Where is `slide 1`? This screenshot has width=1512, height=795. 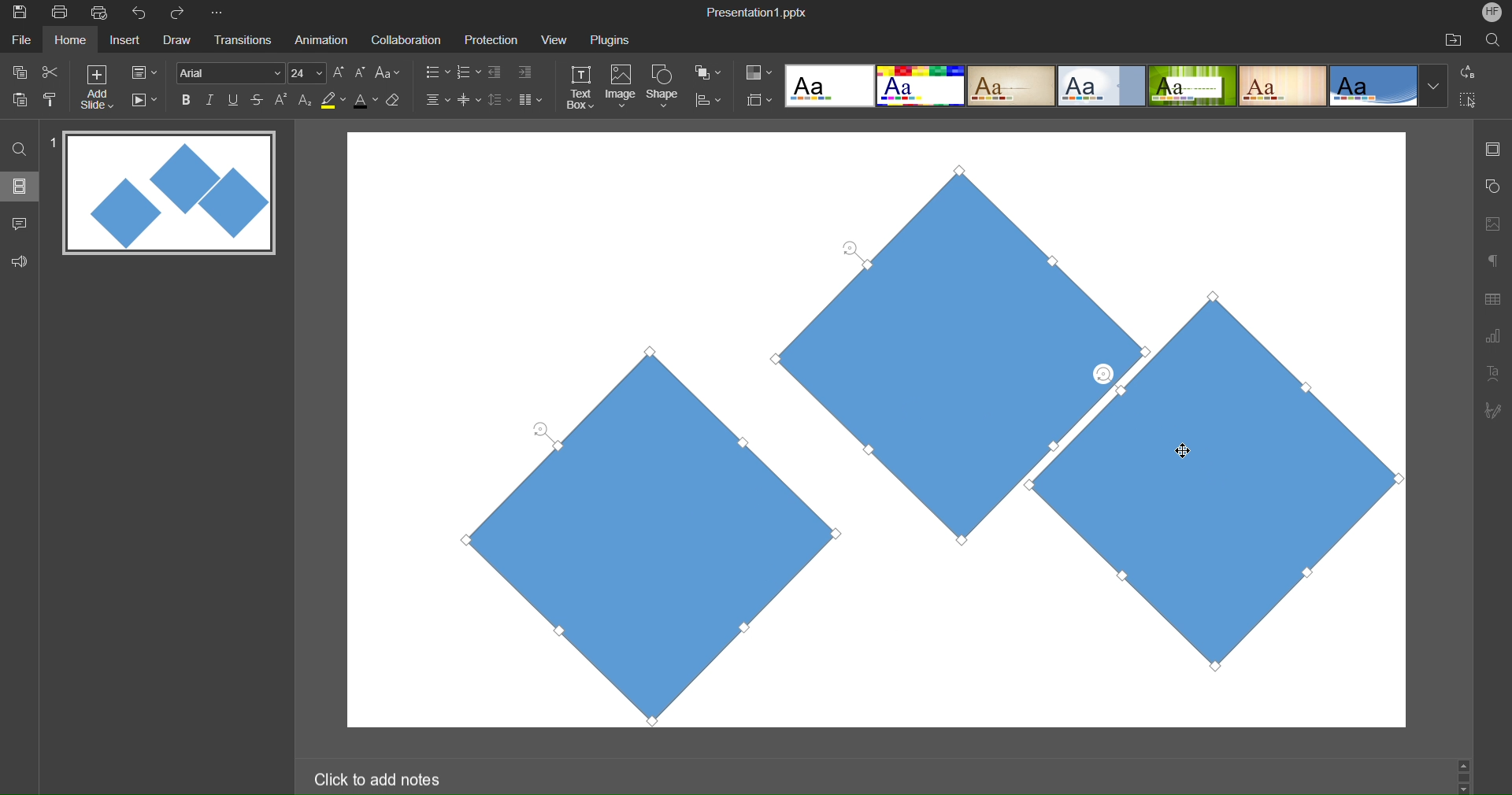
slide 1 is located at coordinates (165, 194).